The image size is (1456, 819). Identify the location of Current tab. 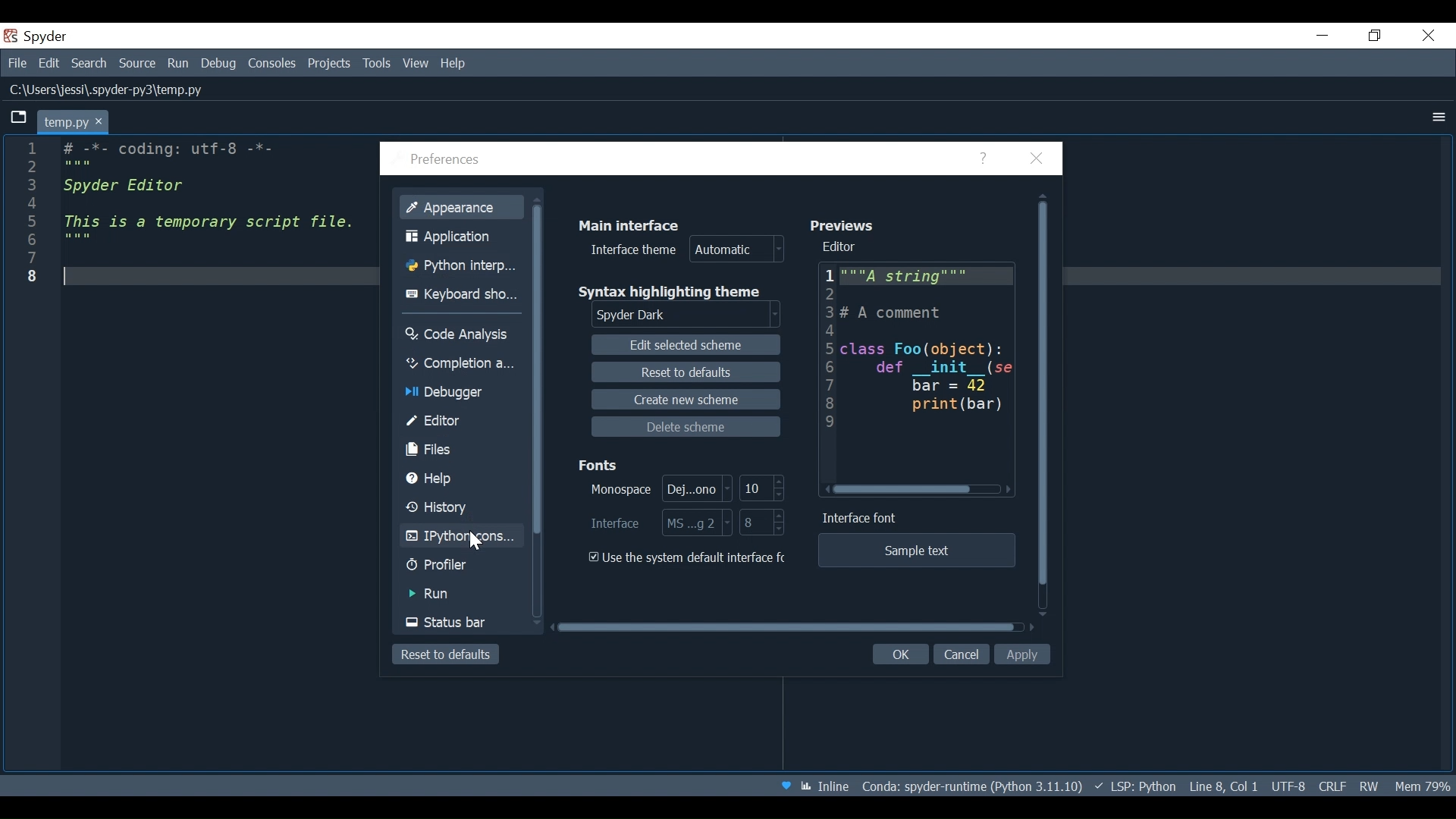
(74, 121).